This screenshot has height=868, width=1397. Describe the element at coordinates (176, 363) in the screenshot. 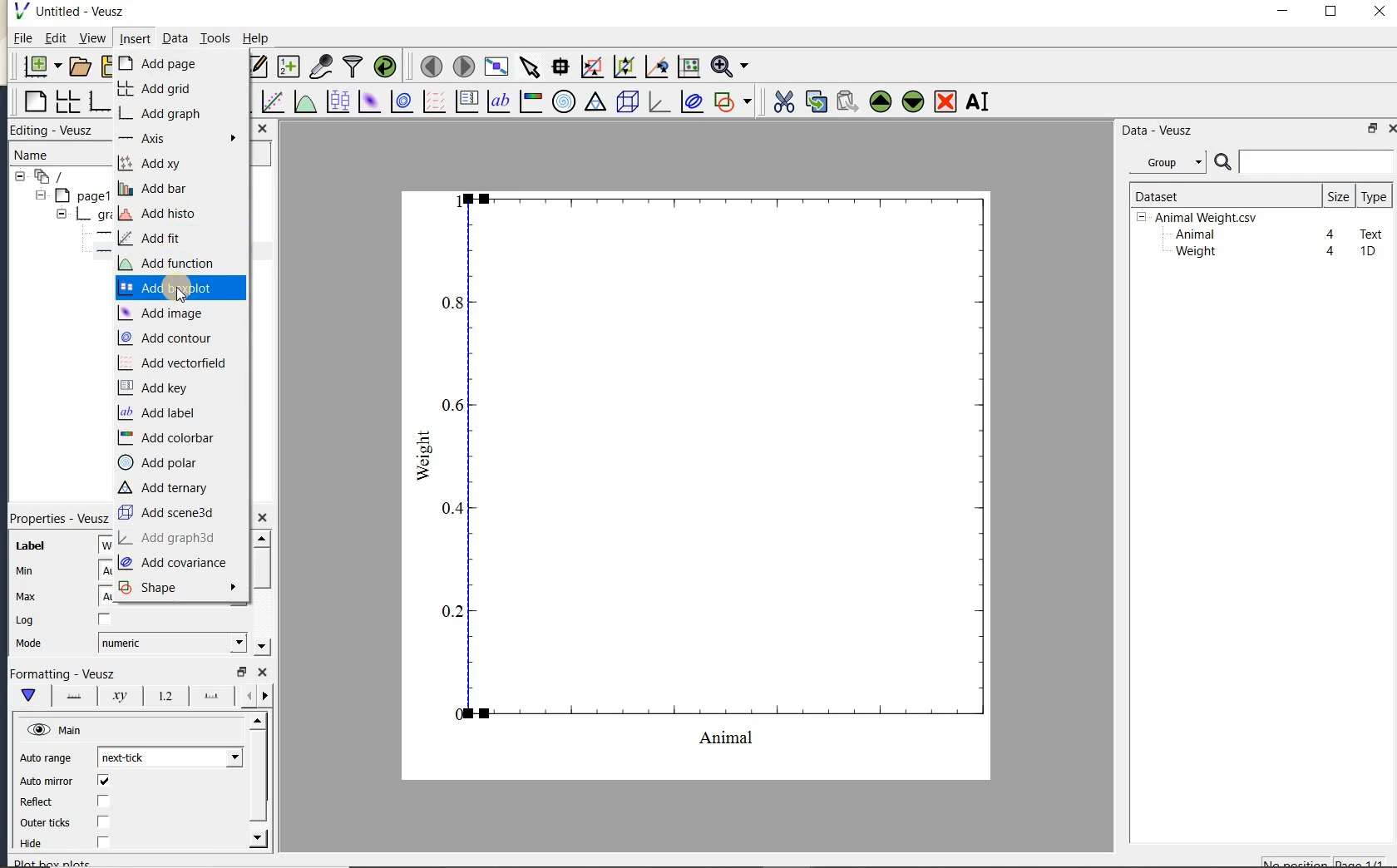

I see `add vectorfield` at that location.